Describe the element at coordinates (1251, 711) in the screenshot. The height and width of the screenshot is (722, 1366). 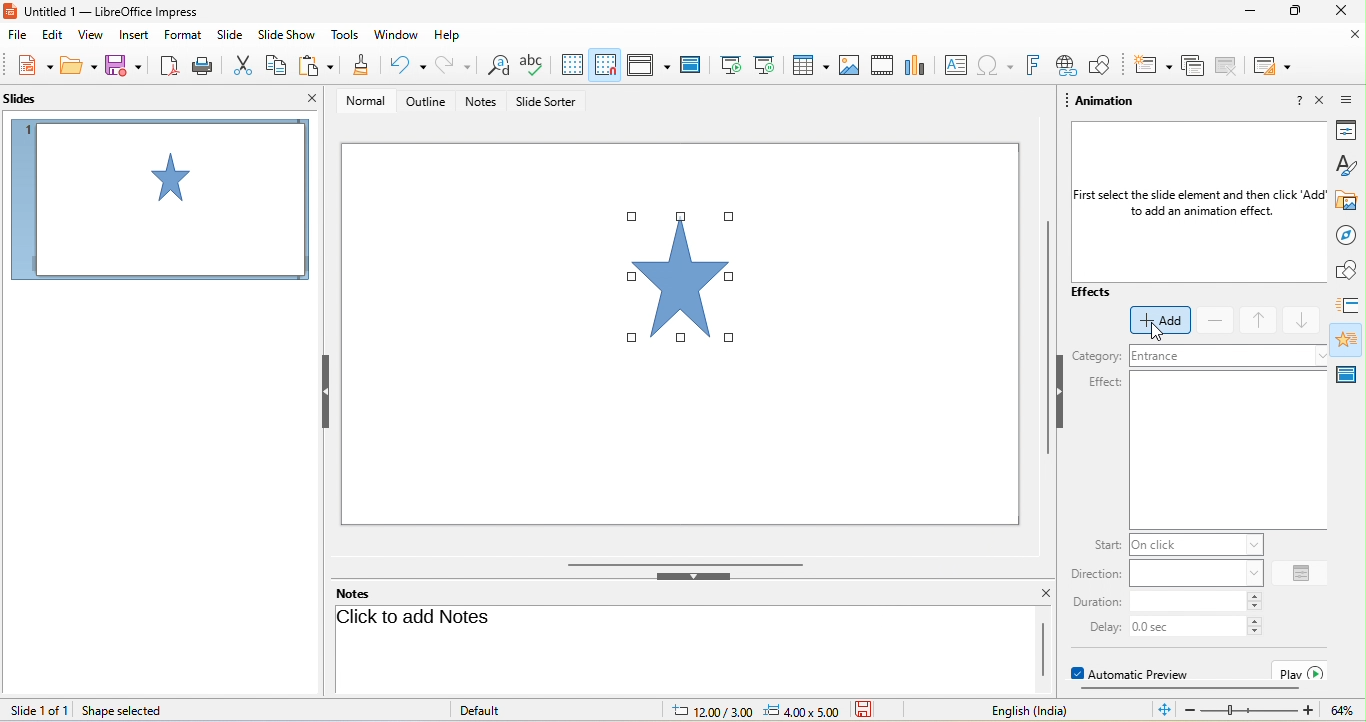
I see `zoom` at that location.